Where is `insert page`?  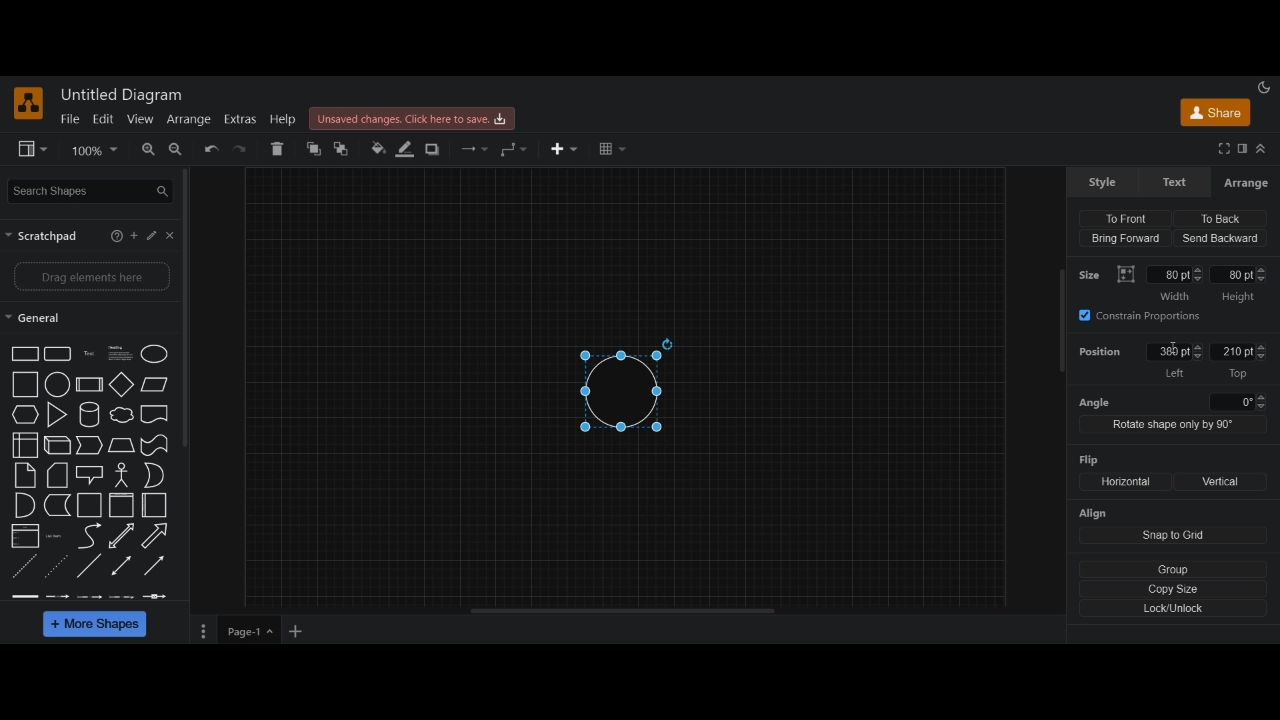 insert page is located at coordinates (297, 633).